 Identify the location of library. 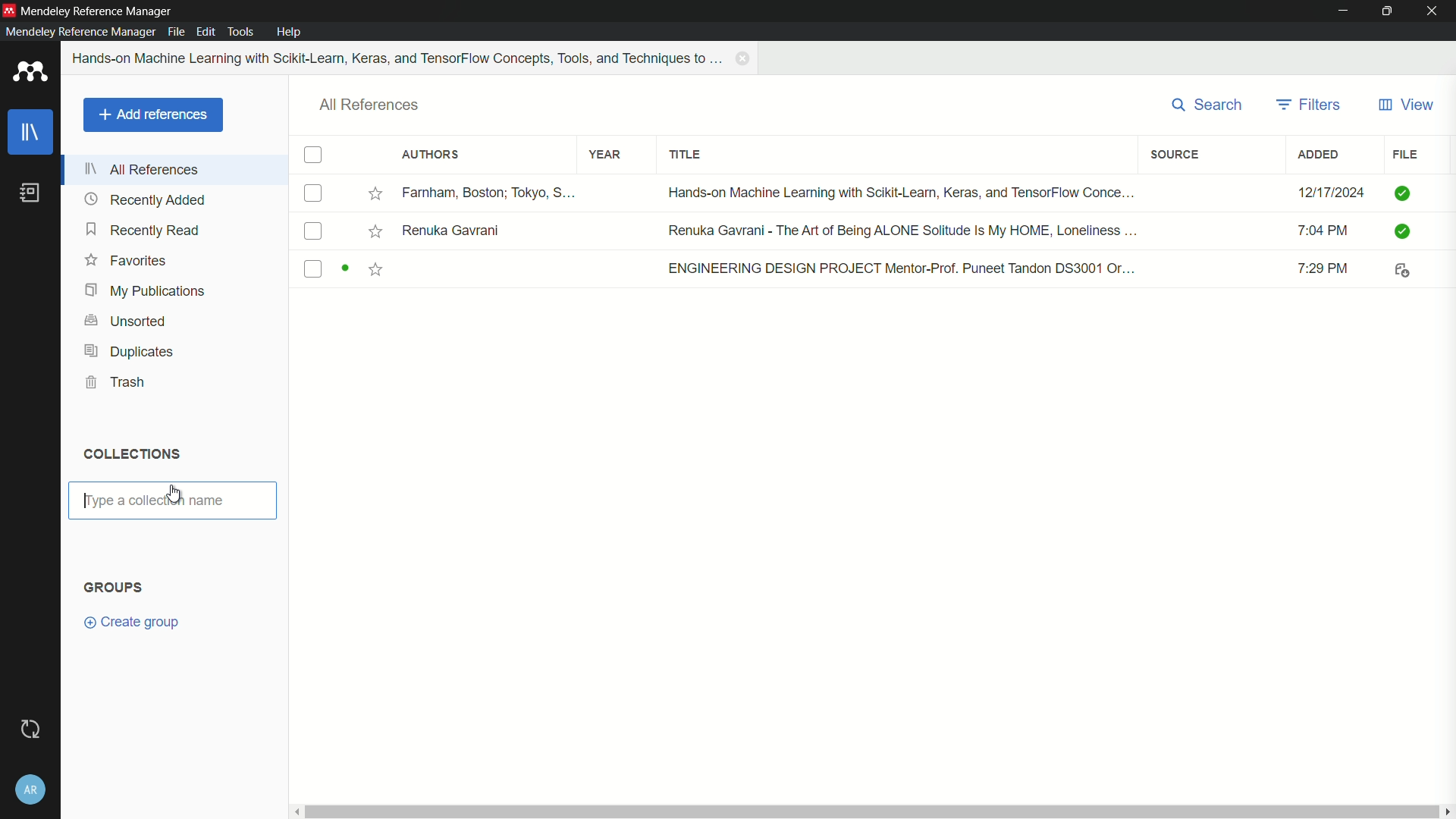
(31, 134).